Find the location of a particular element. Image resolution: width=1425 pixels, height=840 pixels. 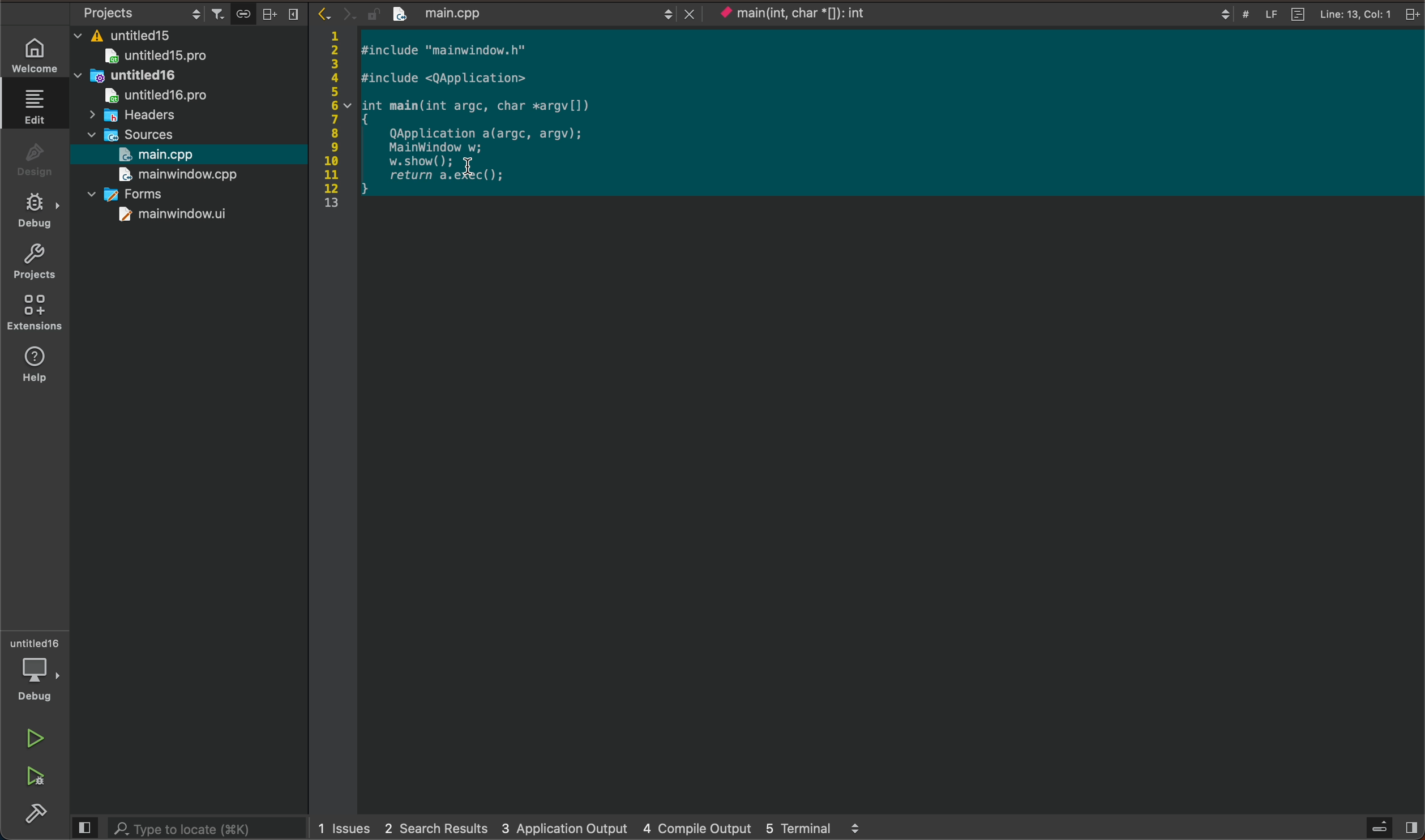

run is located at coordinates (30, 740).